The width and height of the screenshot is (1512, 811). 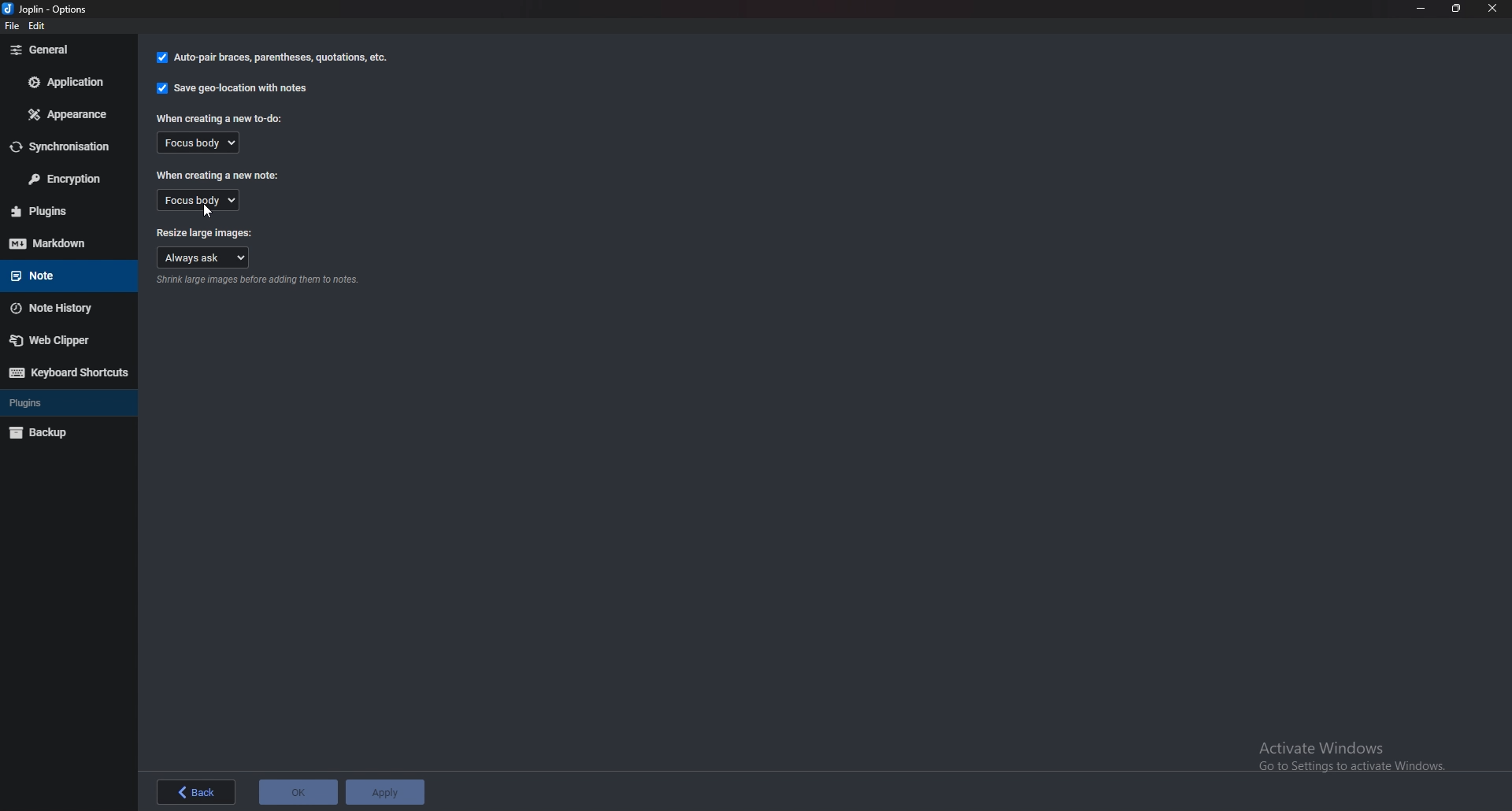 I want to click on Resize large images, so click(x=204, y=230).